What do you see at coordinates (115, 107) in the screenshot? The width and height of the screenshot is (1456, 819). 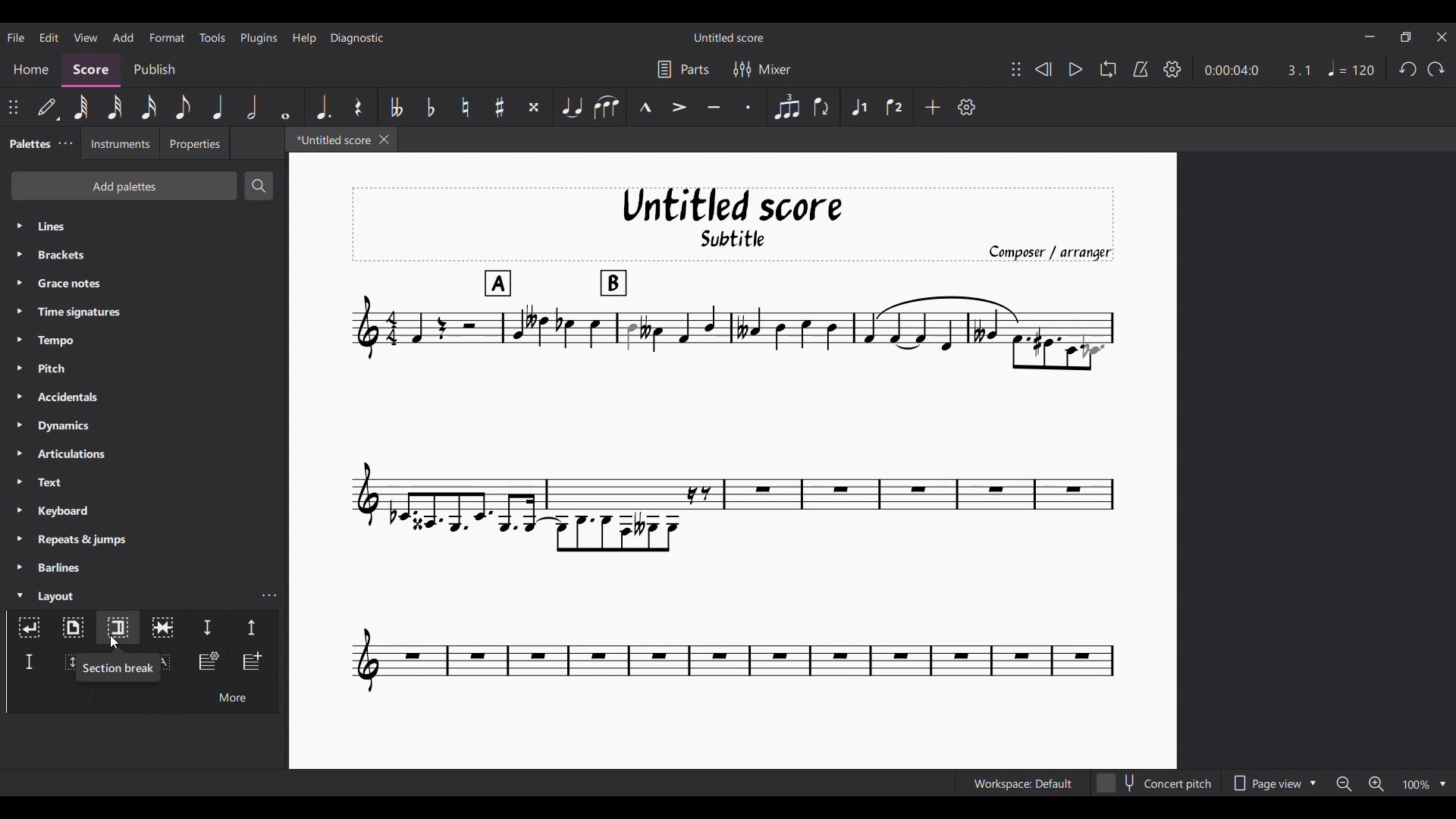 I see `32nd note` at bounding box center [115, 107].